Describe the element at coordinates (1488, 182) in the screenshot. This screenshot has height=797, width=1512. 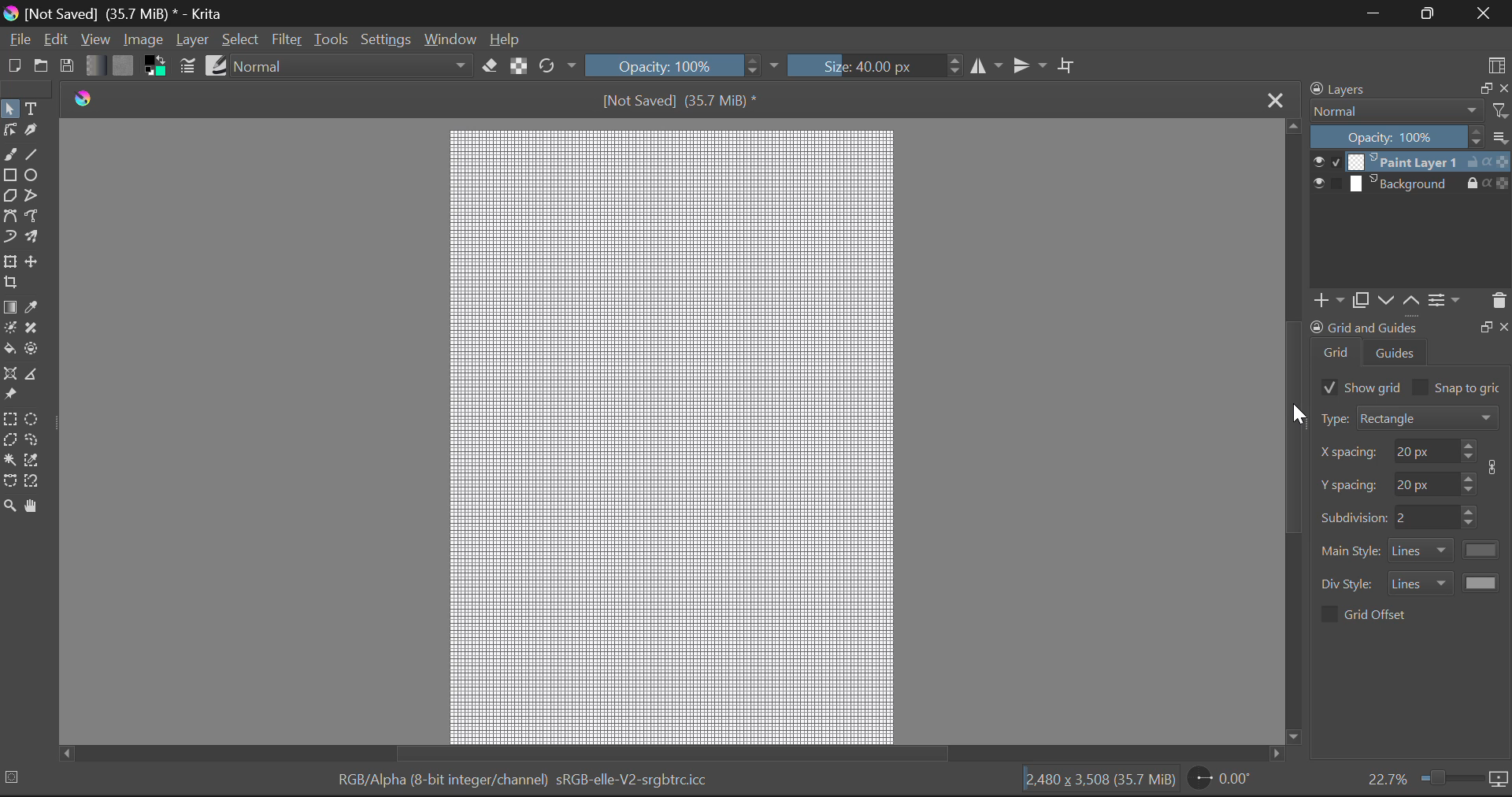
I see `actions` at that location.